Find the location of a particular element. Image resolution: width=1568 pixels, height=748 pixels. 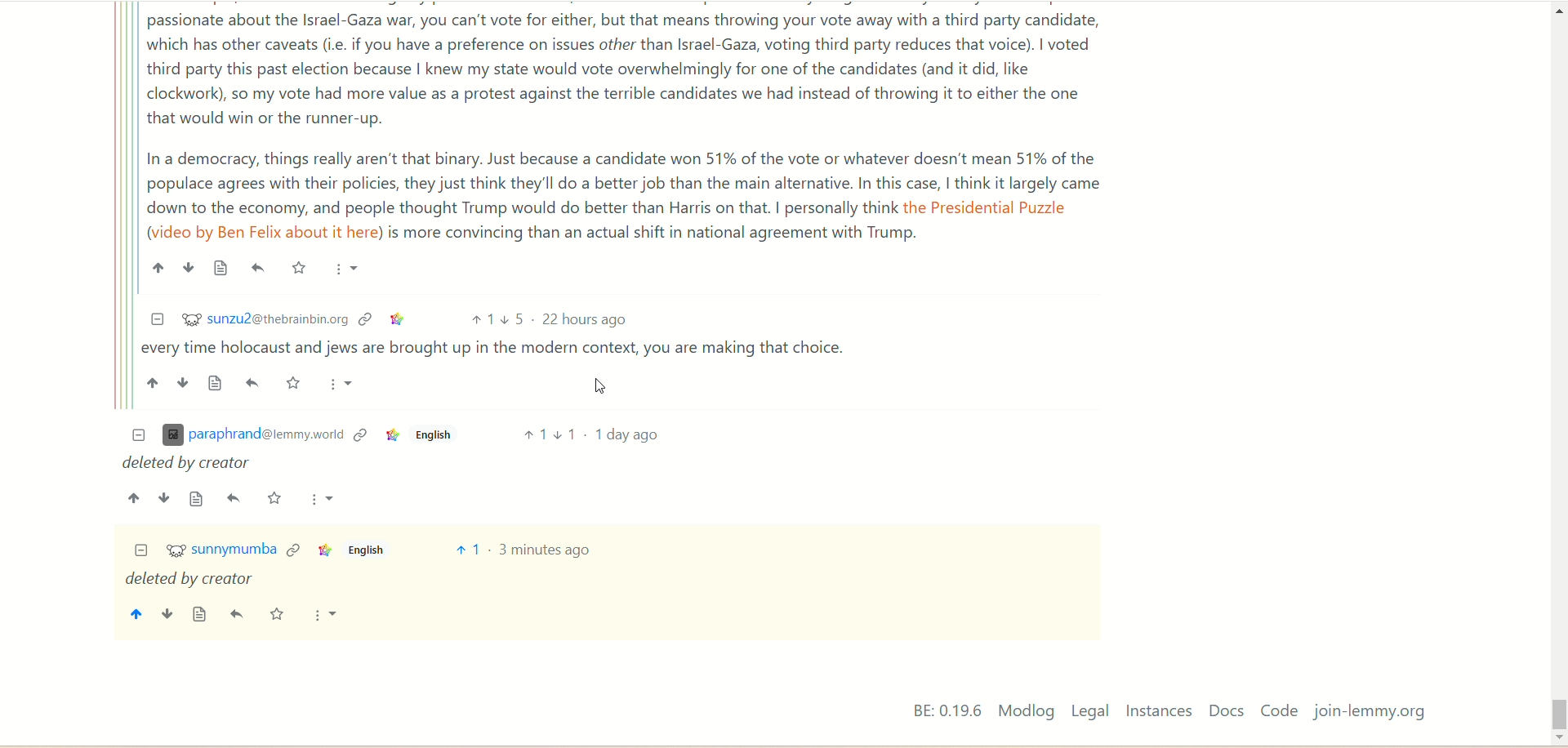

view source is located at coordinates (200, 615).